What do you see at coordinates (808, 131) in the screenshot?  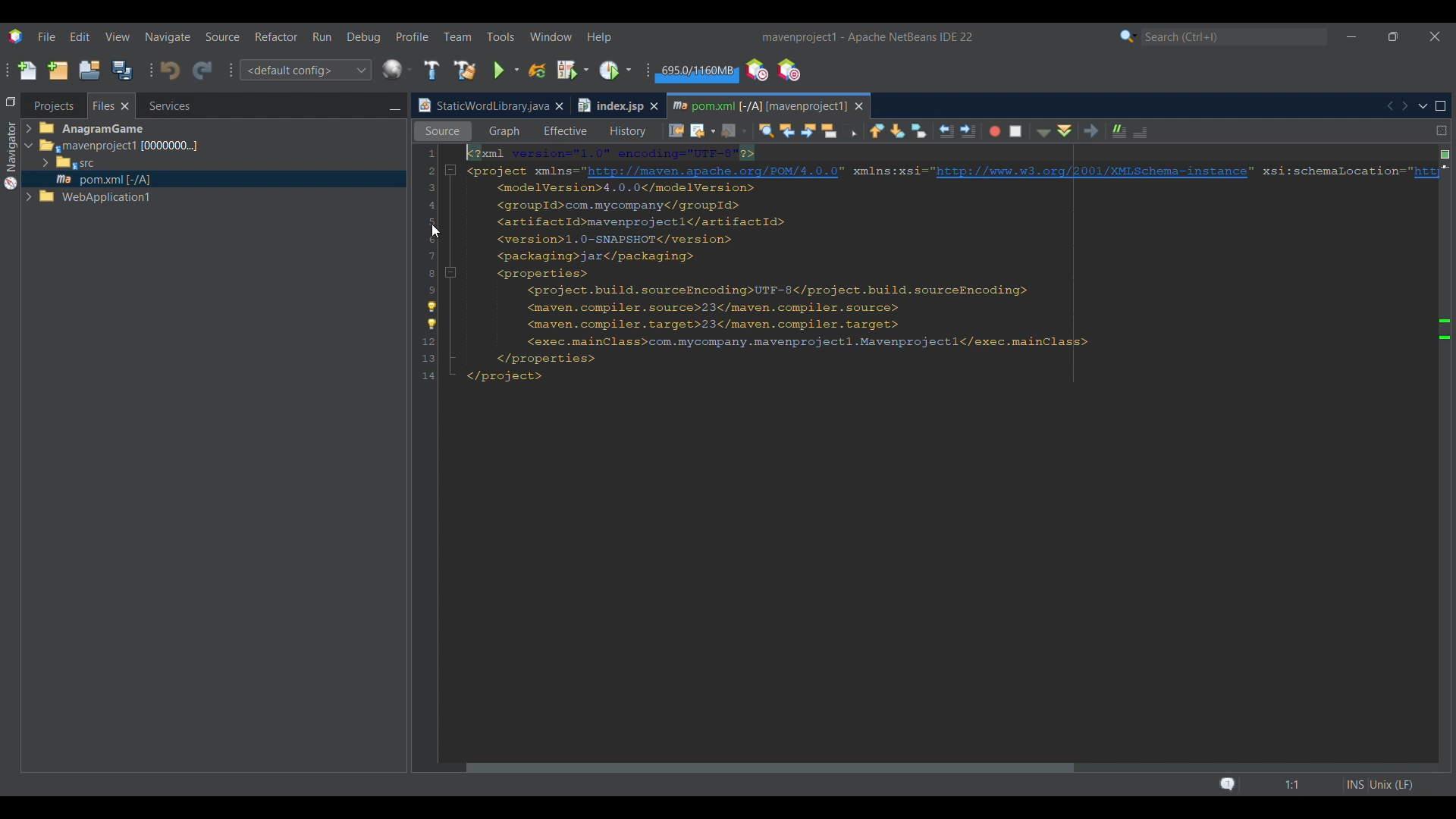 I see `Find next occurrence ` at bounding box center [808, 131].